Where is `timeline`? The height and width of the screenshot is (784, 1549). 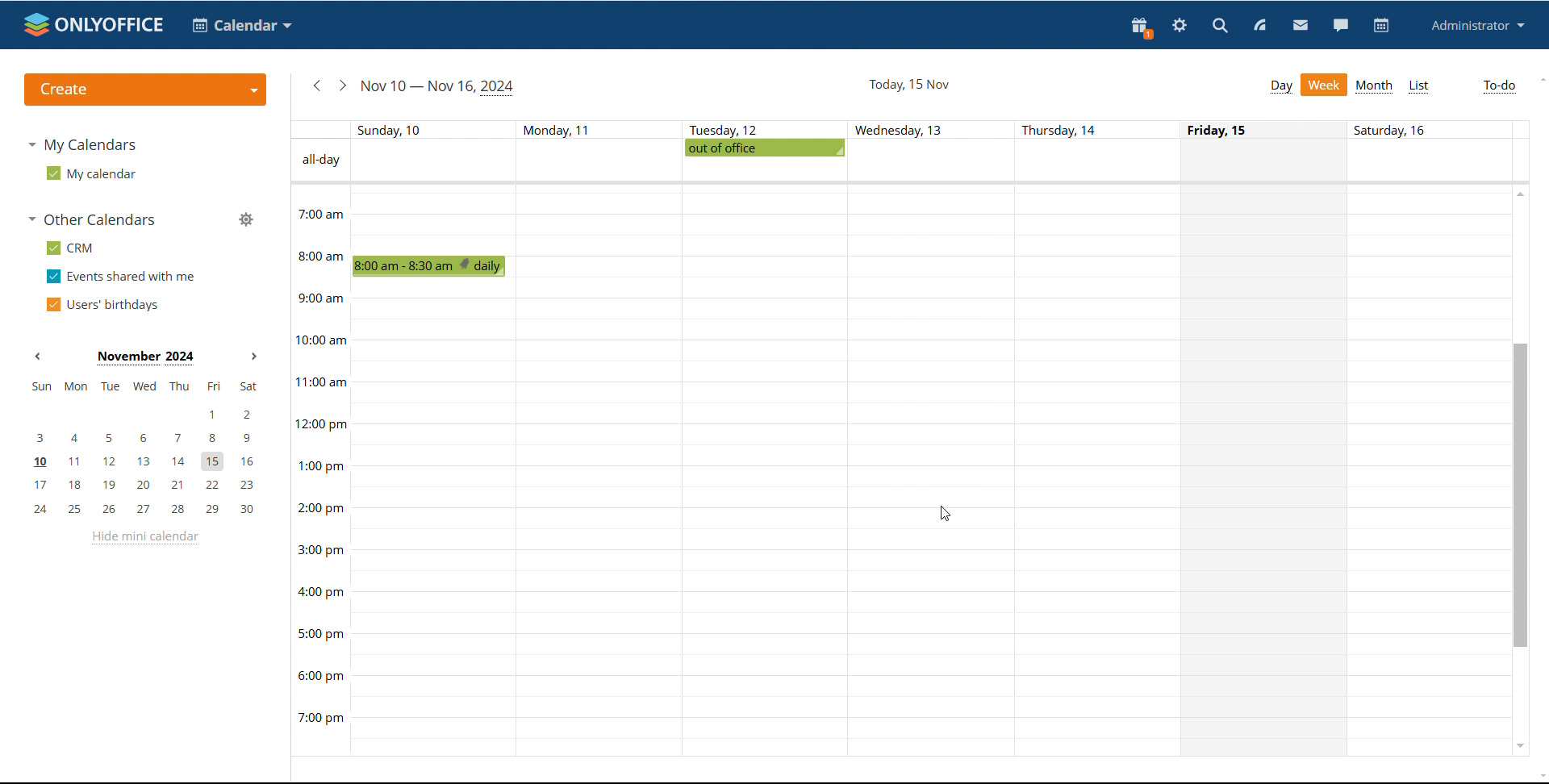
timeline is located at coordinates (319, 469).